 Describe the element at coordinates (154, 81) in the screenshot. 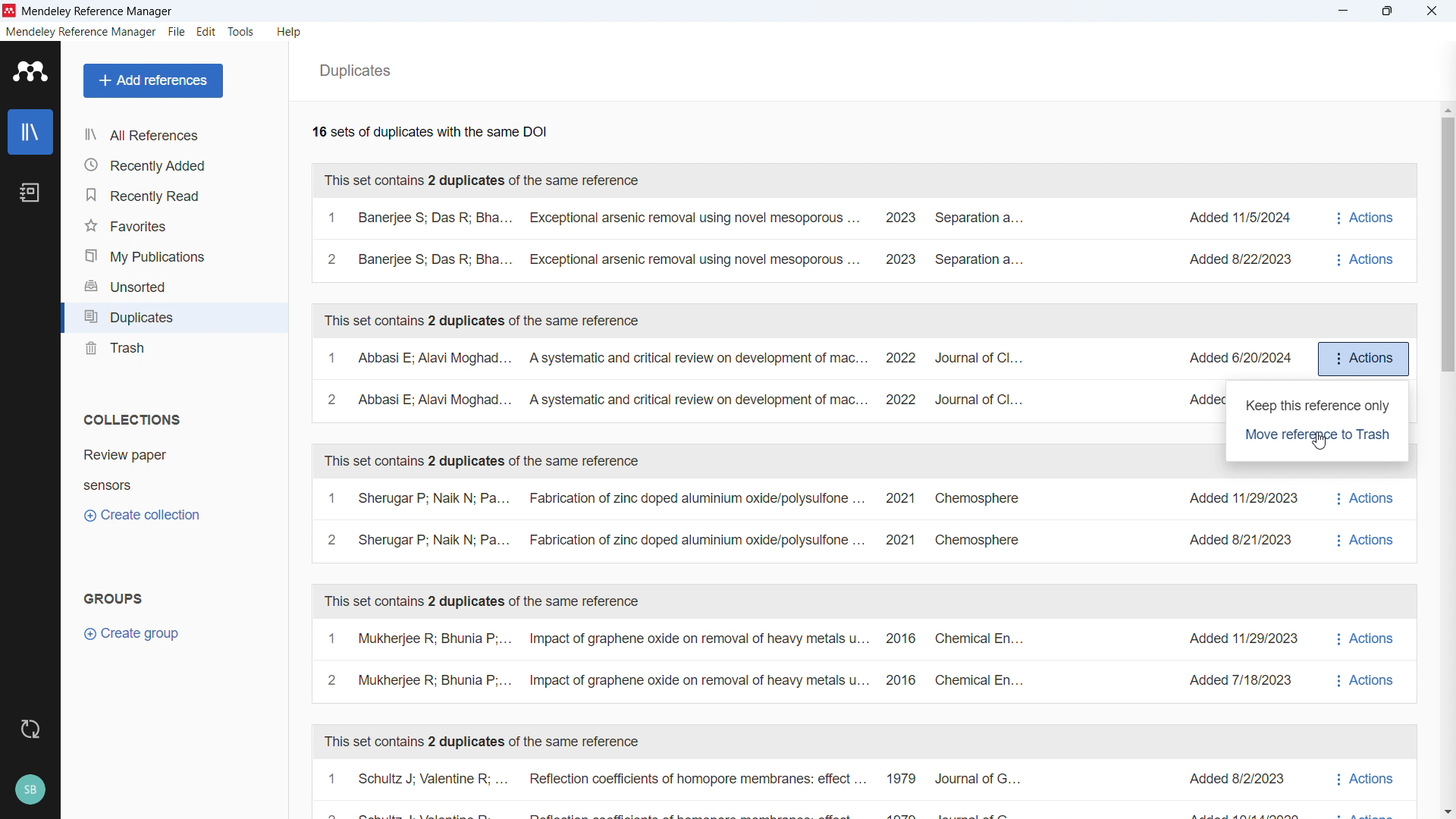

I see `Add references` at that location.